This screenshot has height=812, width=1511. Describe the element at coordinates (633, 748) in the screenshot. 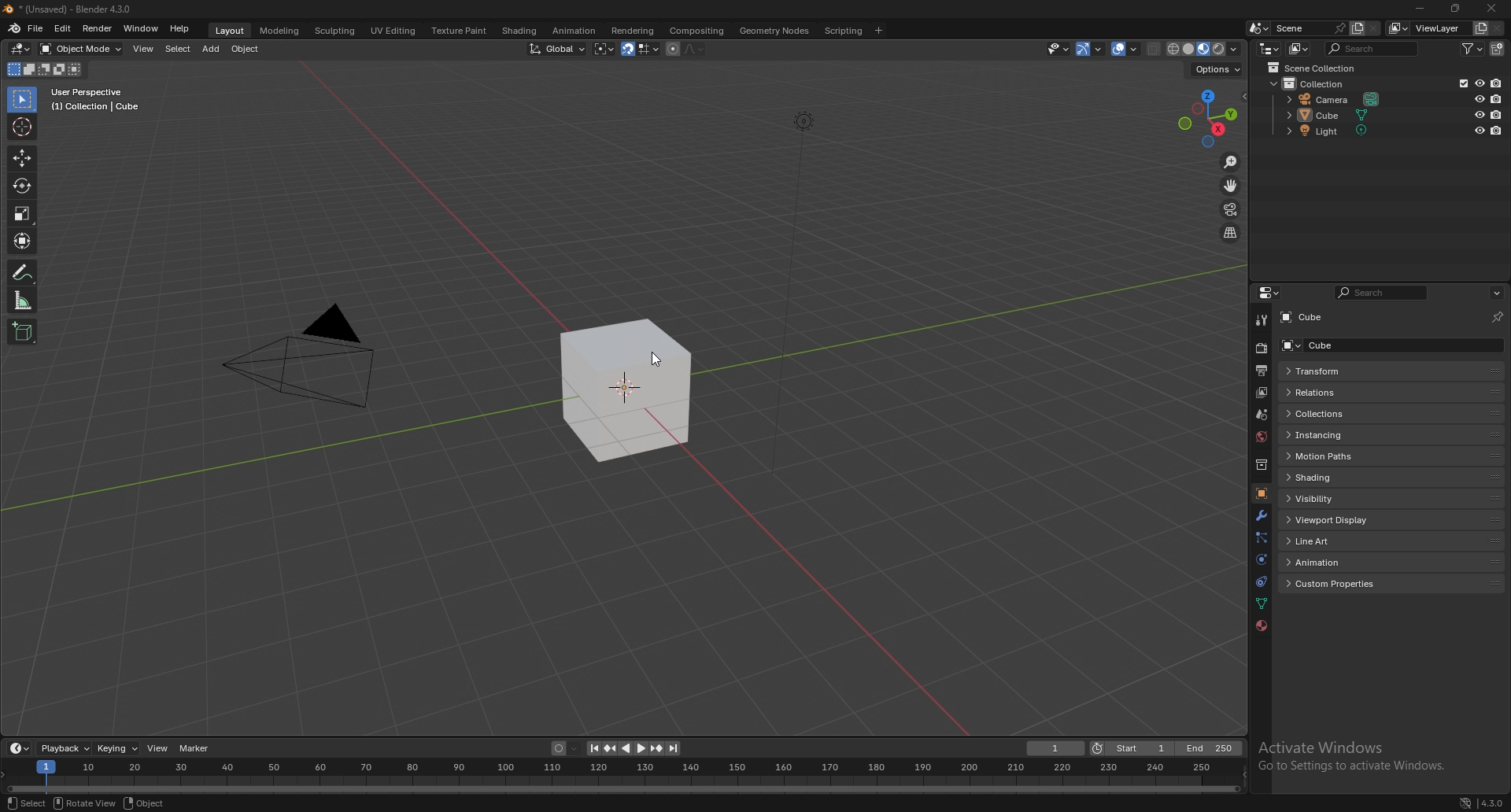

I see `play animation` at that location.